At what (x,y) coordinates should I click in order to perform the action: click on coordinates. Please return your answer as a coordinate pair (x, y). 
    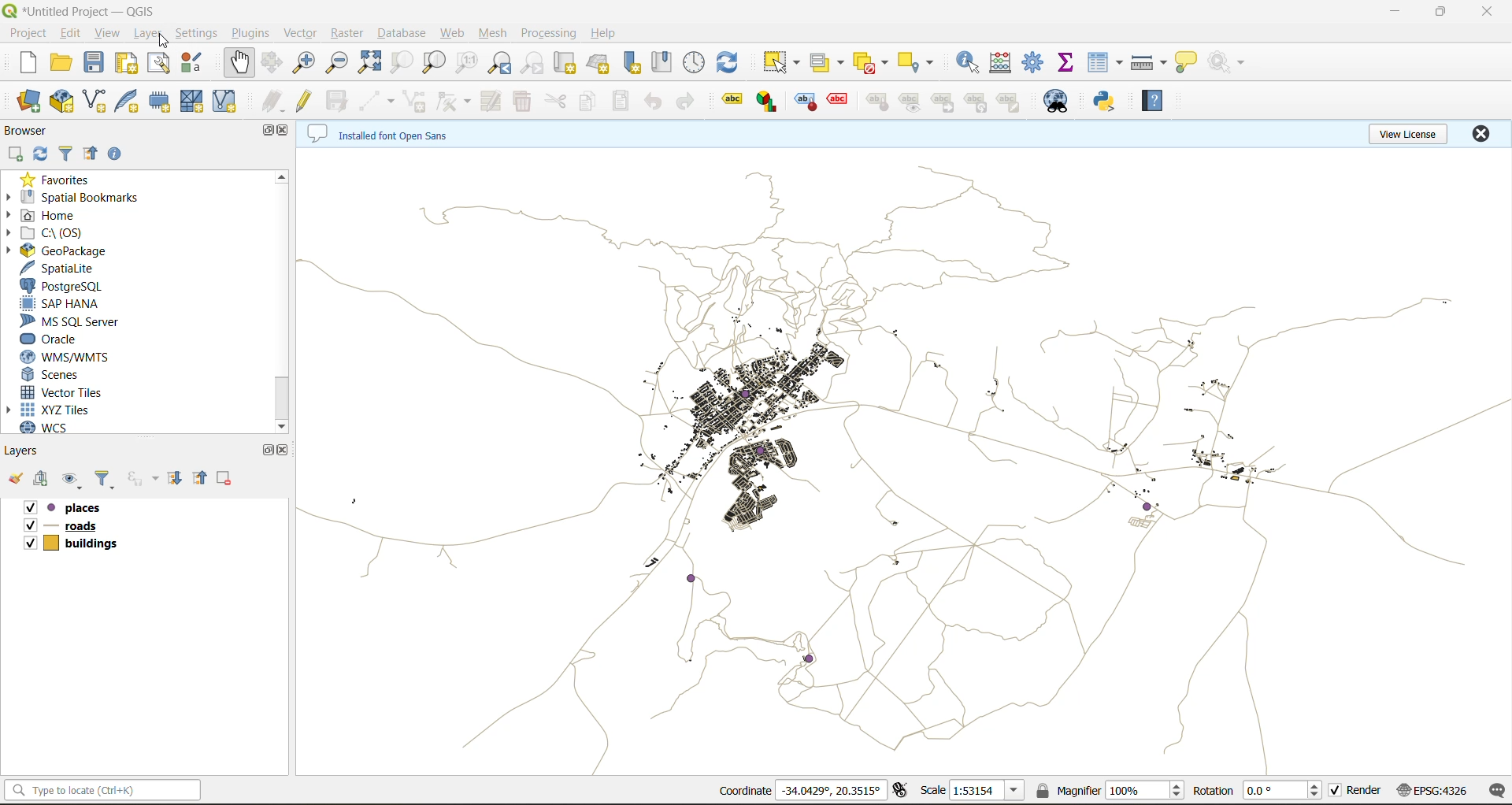
    Looking at the image, I should click on (799, 792).